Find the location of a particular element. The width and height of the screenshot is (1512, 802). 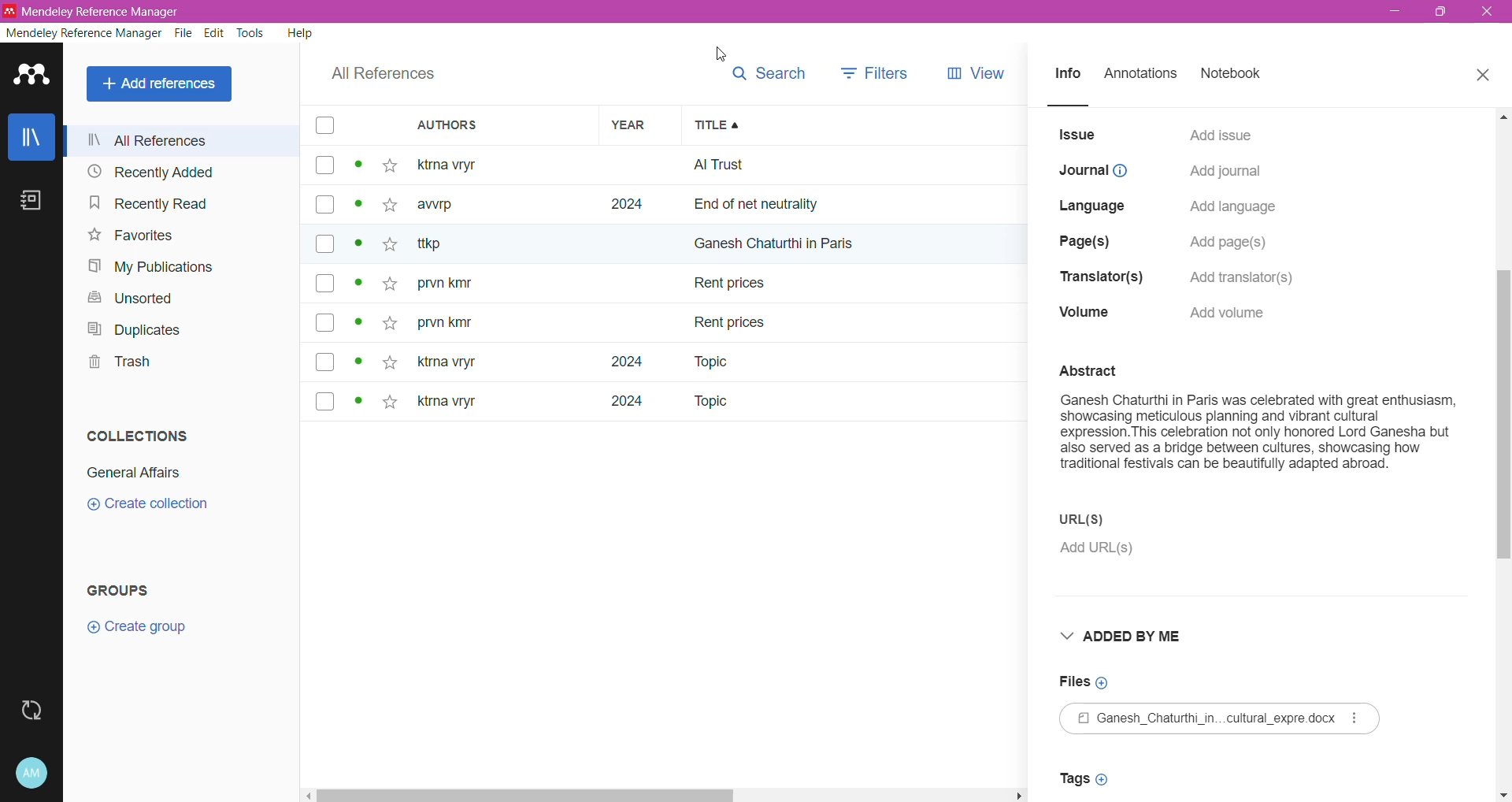

Authors is located at coordinates (504, 126).